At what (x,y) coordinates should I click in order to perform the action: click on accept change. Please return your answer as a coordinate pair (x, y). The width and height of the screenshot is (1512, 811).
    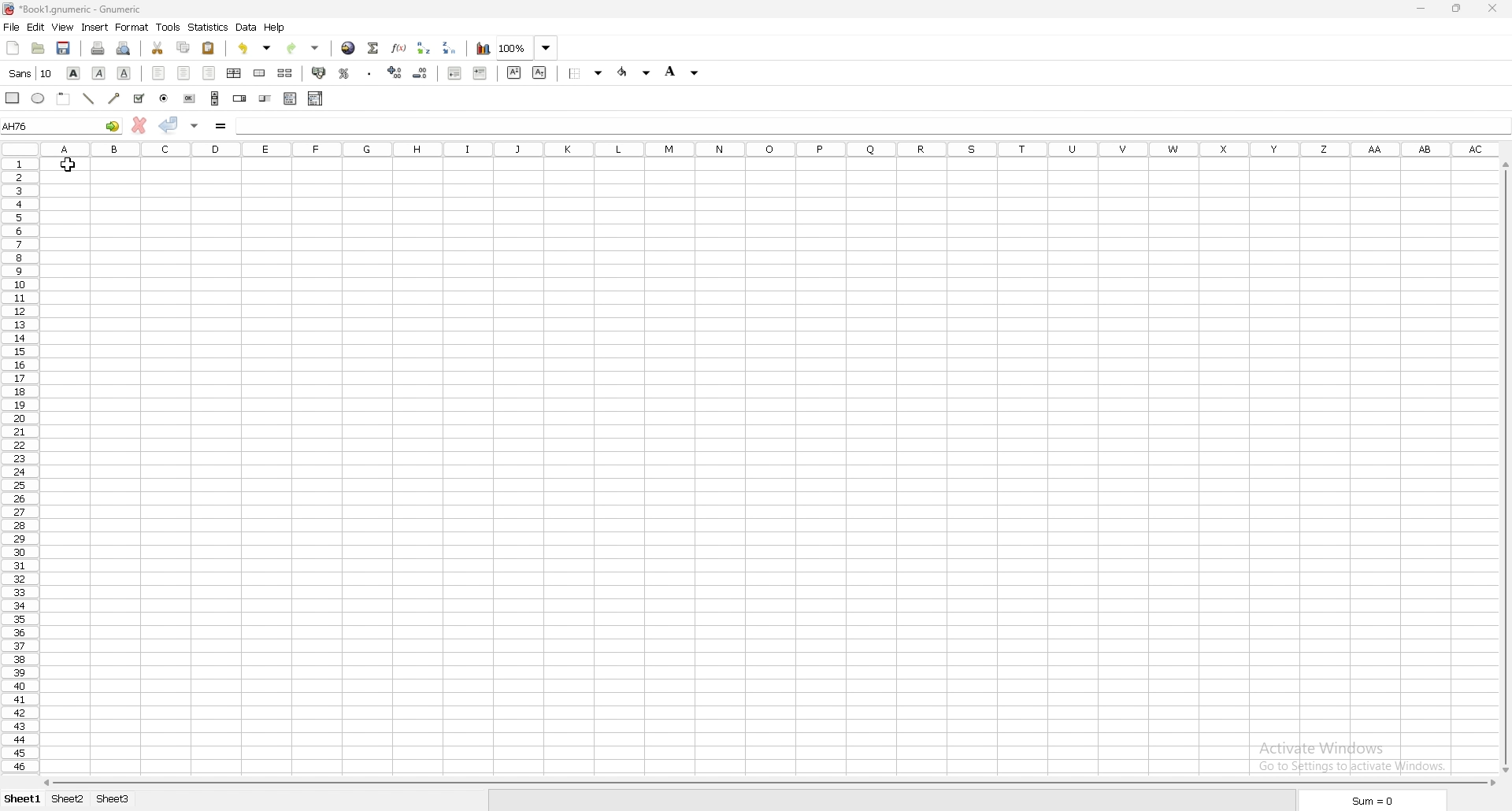
    Looking at the image, I should click on (169, 125).